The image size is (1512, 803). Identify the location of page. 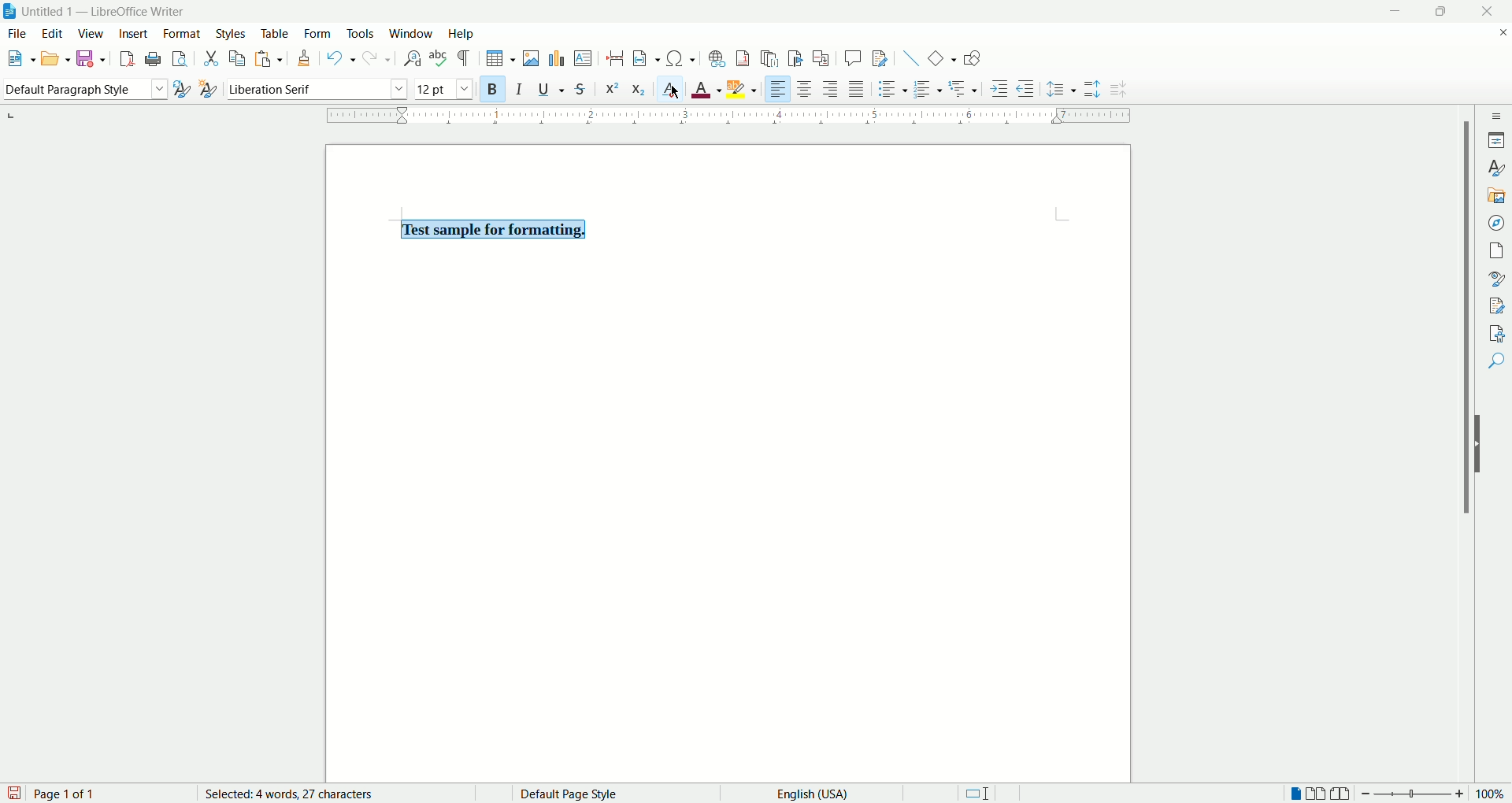
(724, 457).